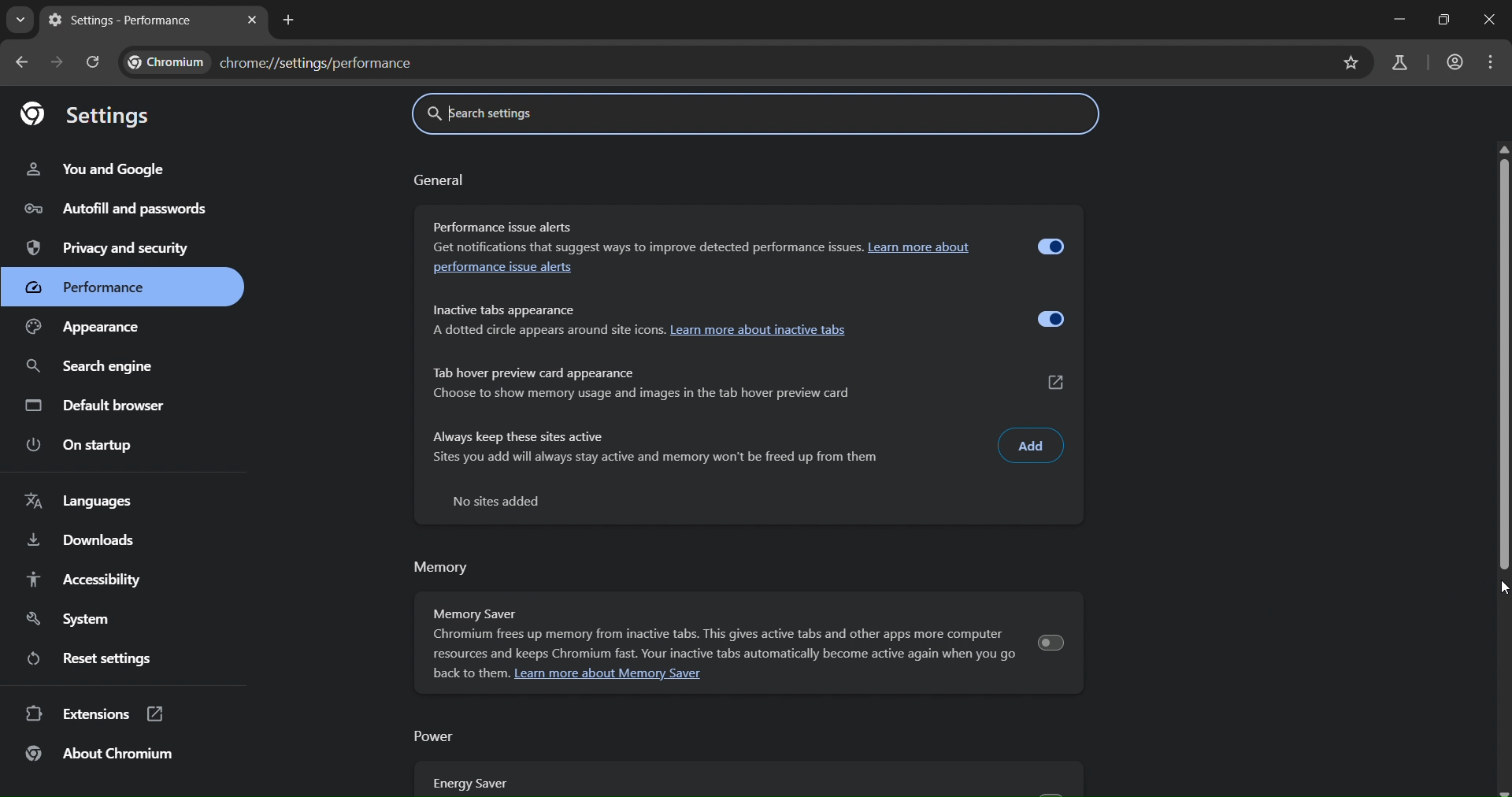  I want to click on you and google, so click(96, 172).